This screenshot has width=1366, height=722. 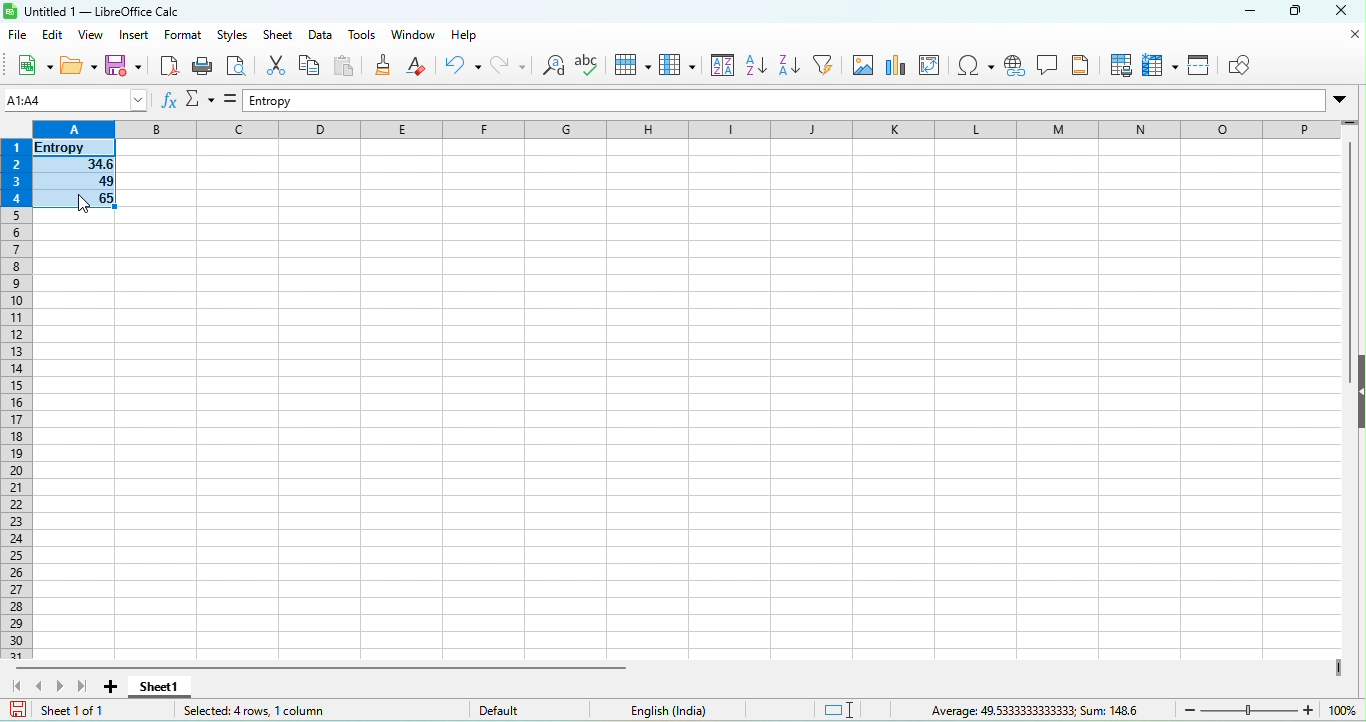 What do you see at coordinates (1344, 100) in the screenshot?
I see `Drop-down ` at bounding box center [1344, 100].